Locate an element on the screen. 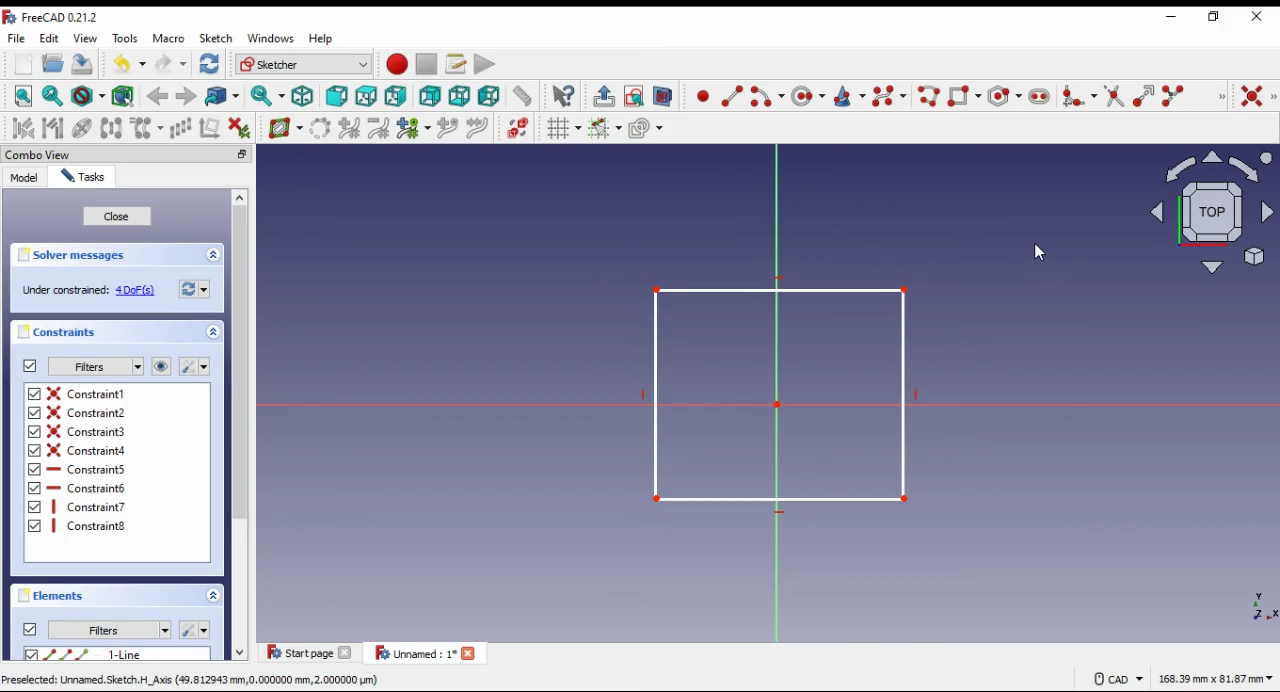  shiw/hide Bspline information layer is located at coordinates (286, 127).